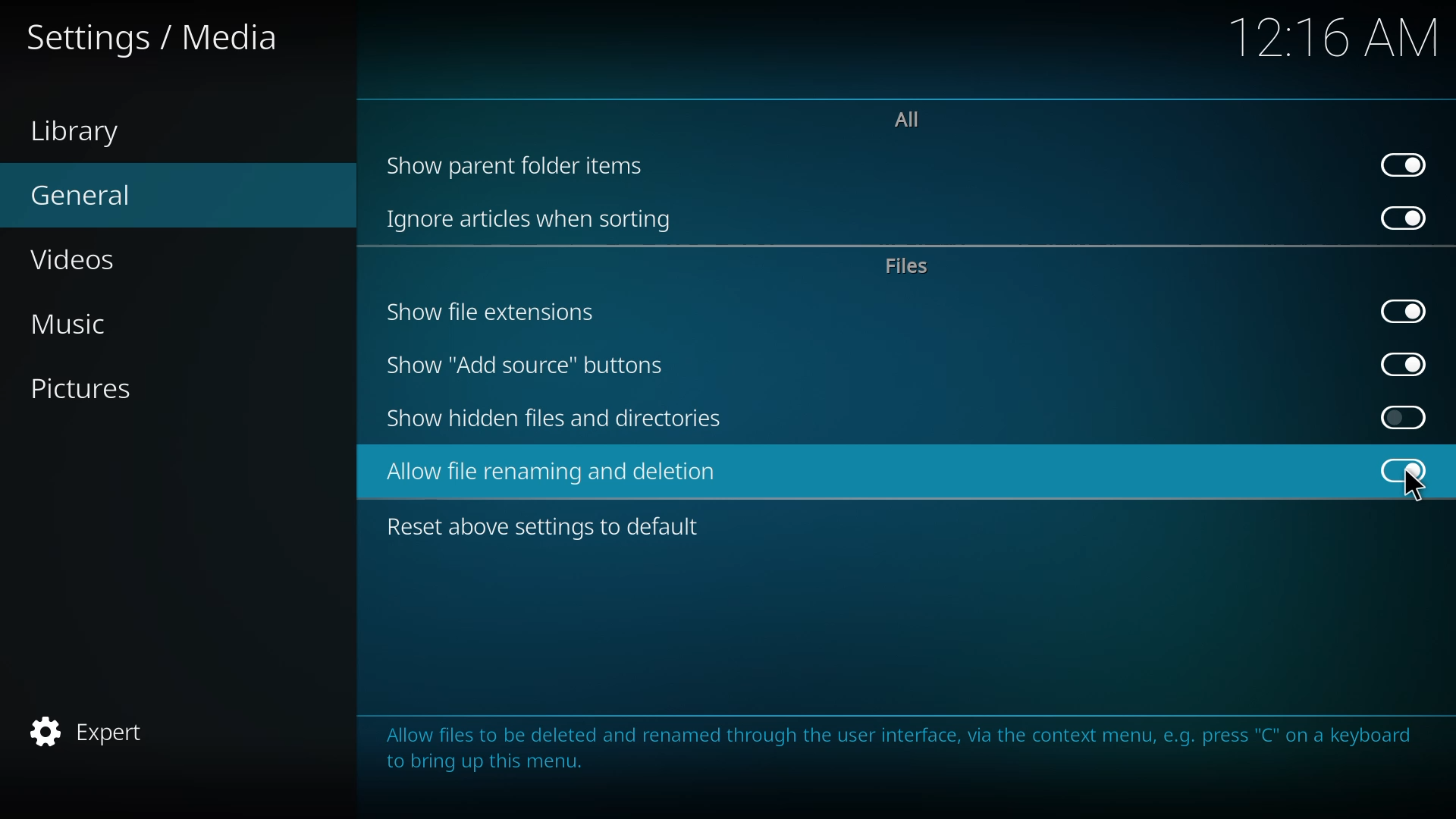  What do you see at coordinates (530, 365) in the screenshot?
I see `show add source button` at bounding box center [530, 365].